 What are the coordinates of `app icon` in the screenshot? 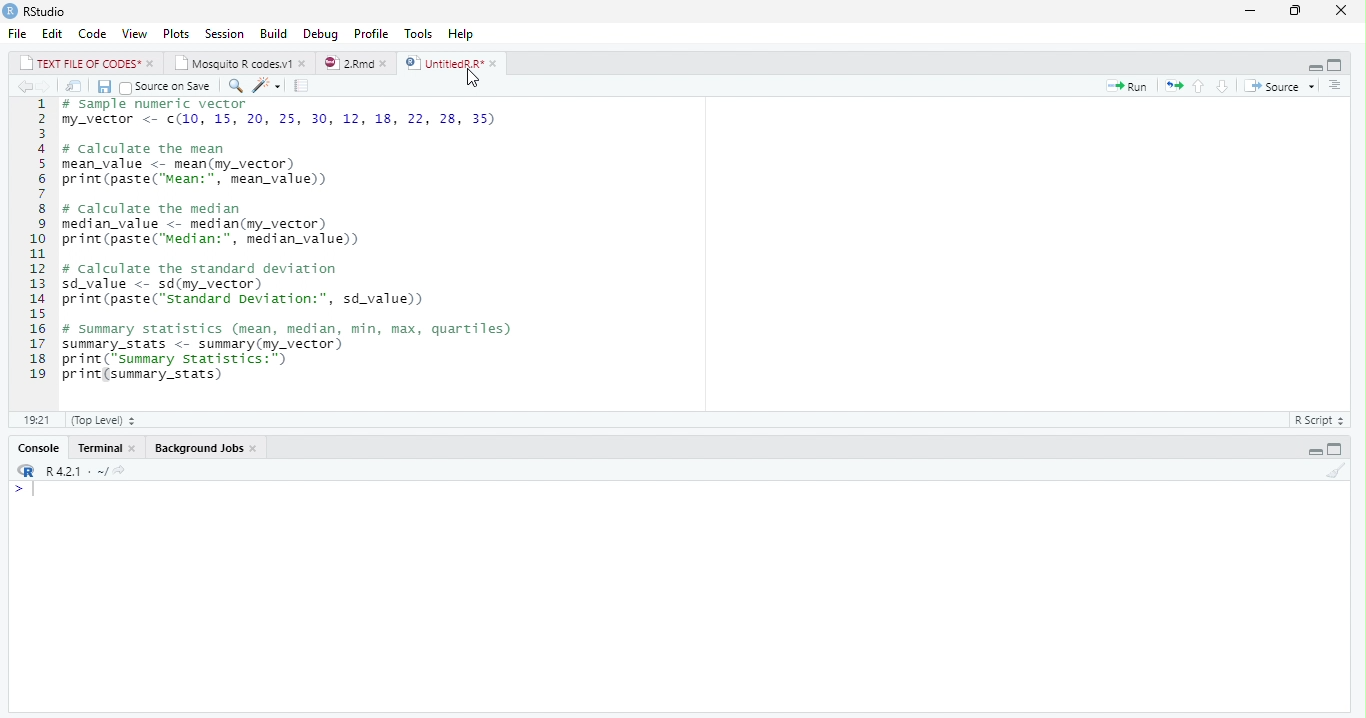 It's located at (10, 10).